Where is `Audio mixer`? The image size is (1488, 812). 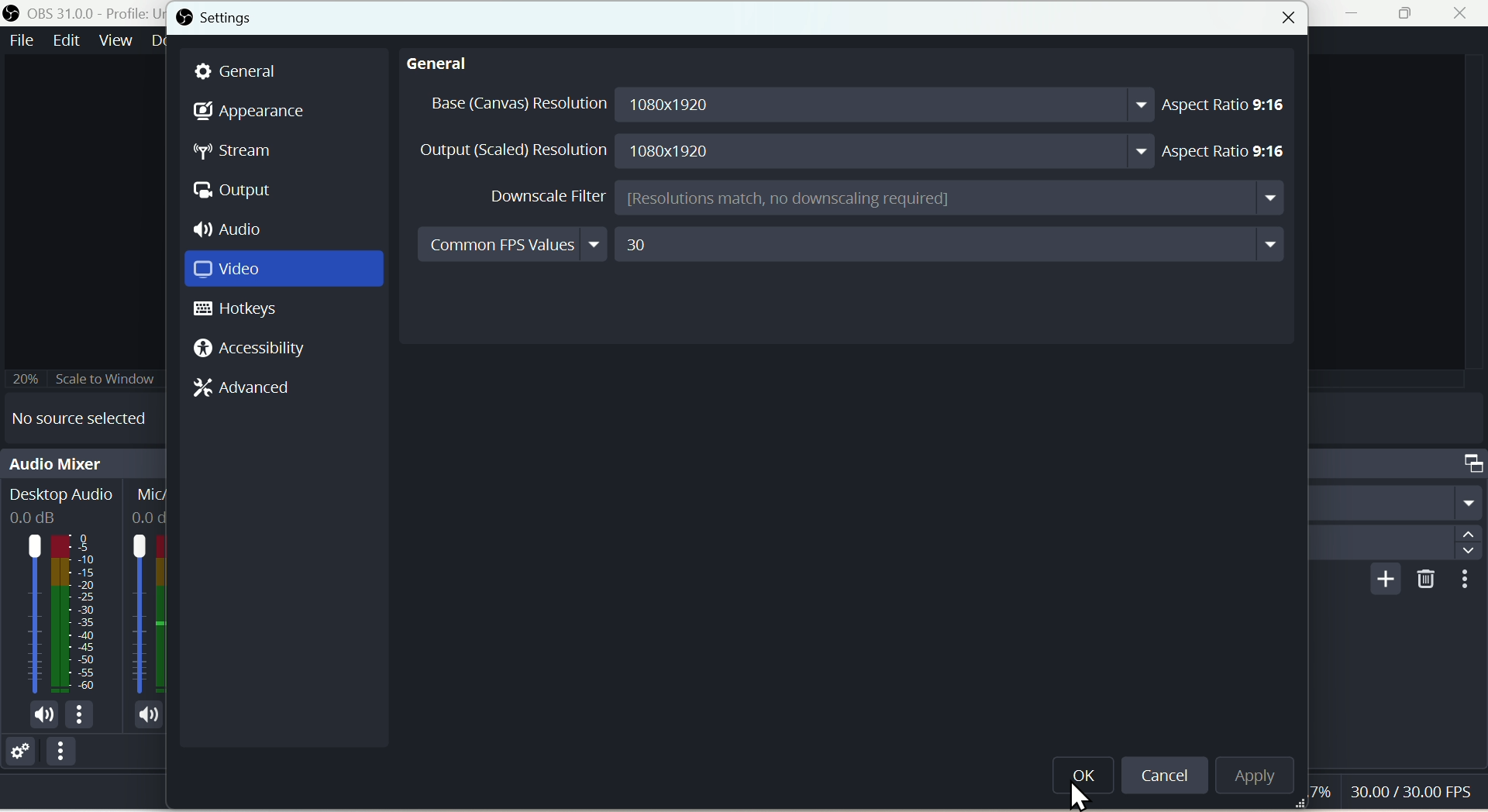
Audio mixer is located at coordinates (83, 461).